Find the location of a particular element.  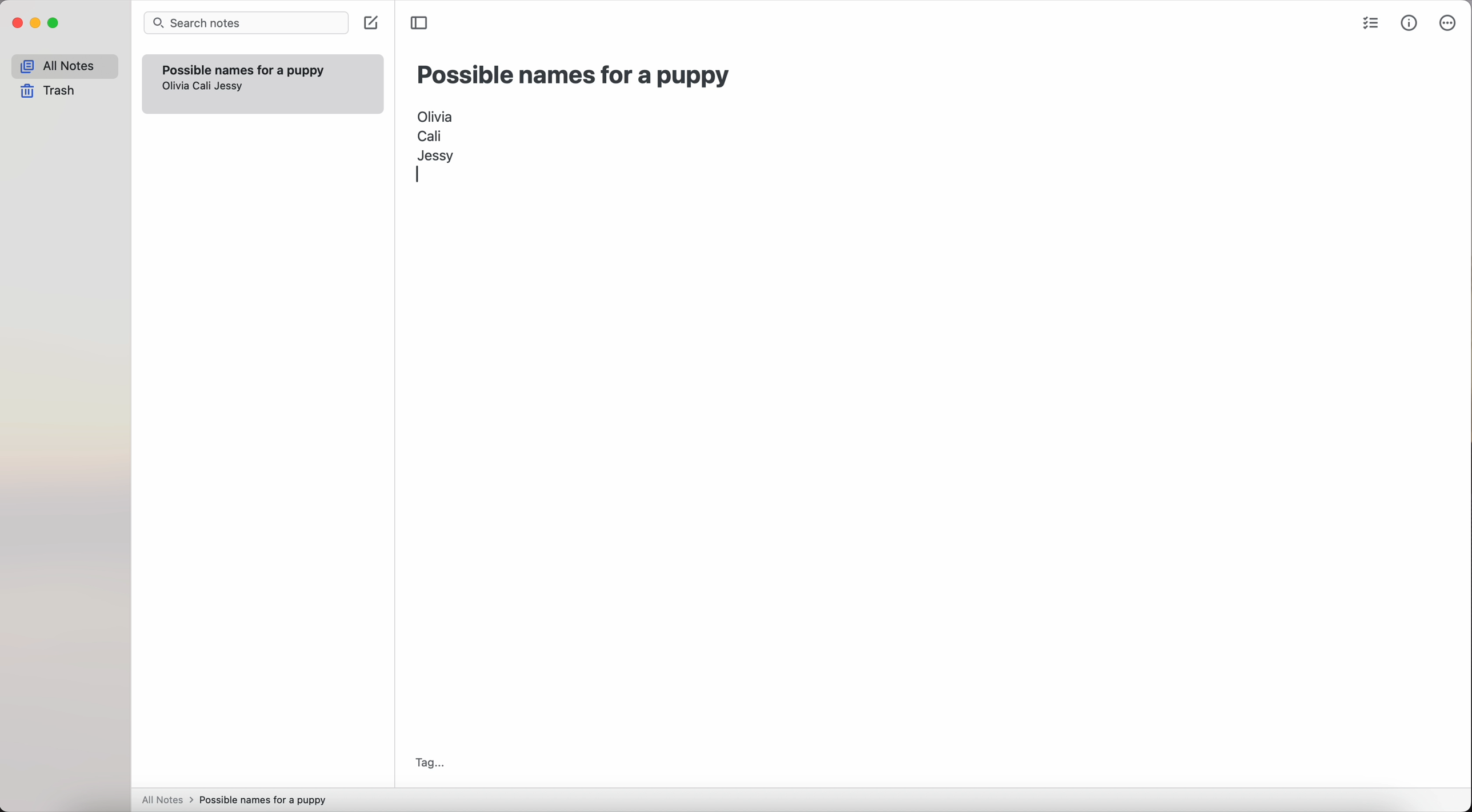

tag is located at coordinates (429, 762).